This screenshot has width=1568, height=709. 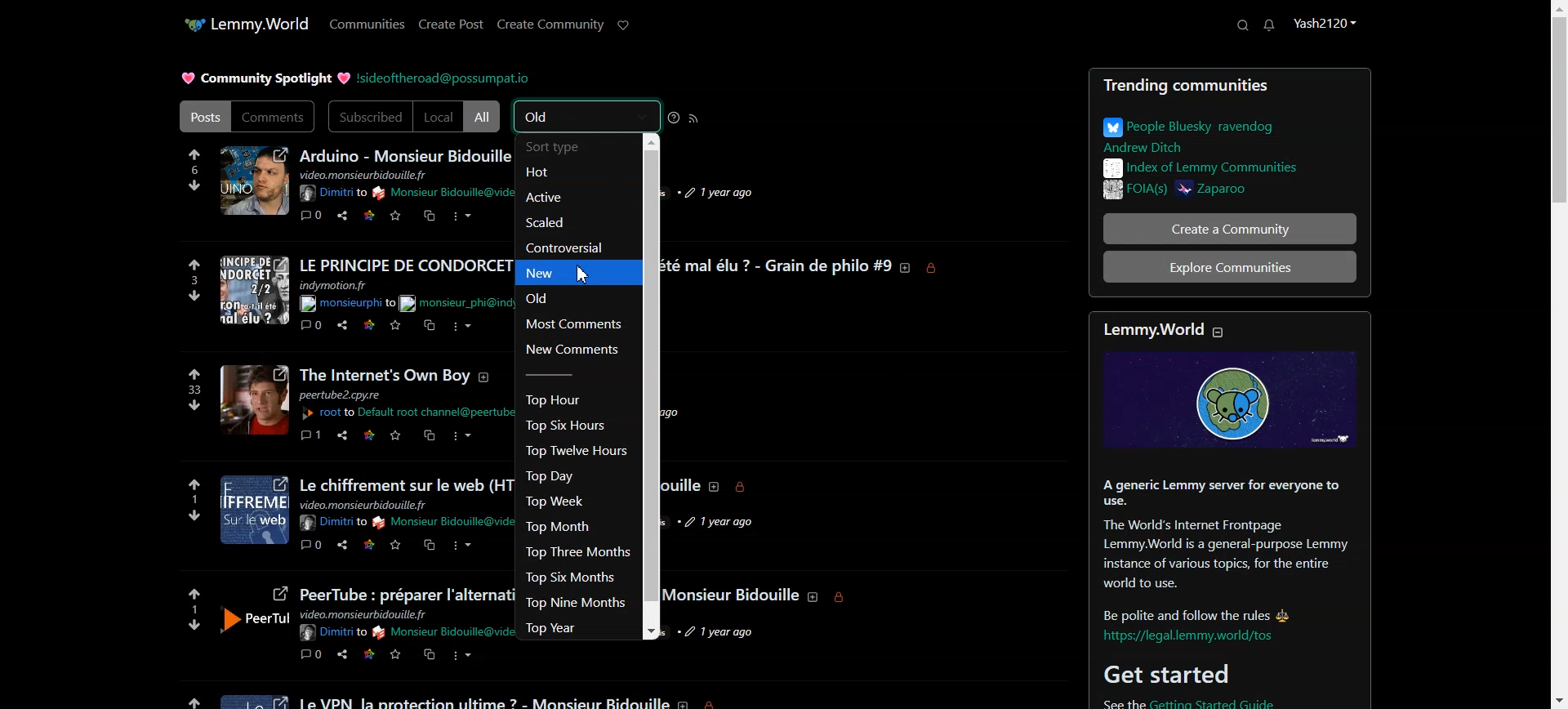 What do you see at coordinates (265, 78) in the screenshot?
I see `Text` at bounding box center [265, 78].